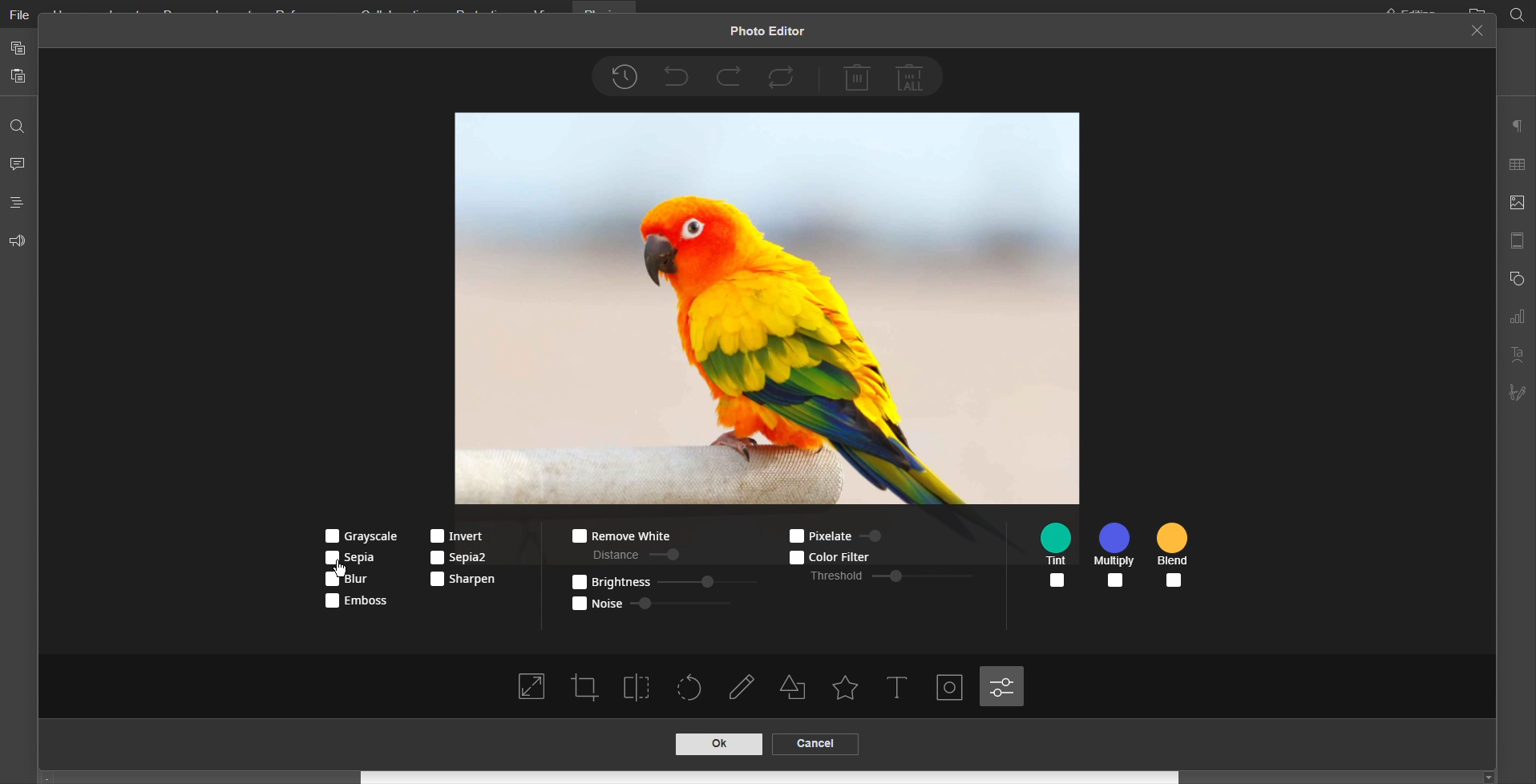 The height and width of the screenshot is (784, 1536). Describe the element at coordinates (1003, 686) in the screenshot. I see `Settings` at that location.